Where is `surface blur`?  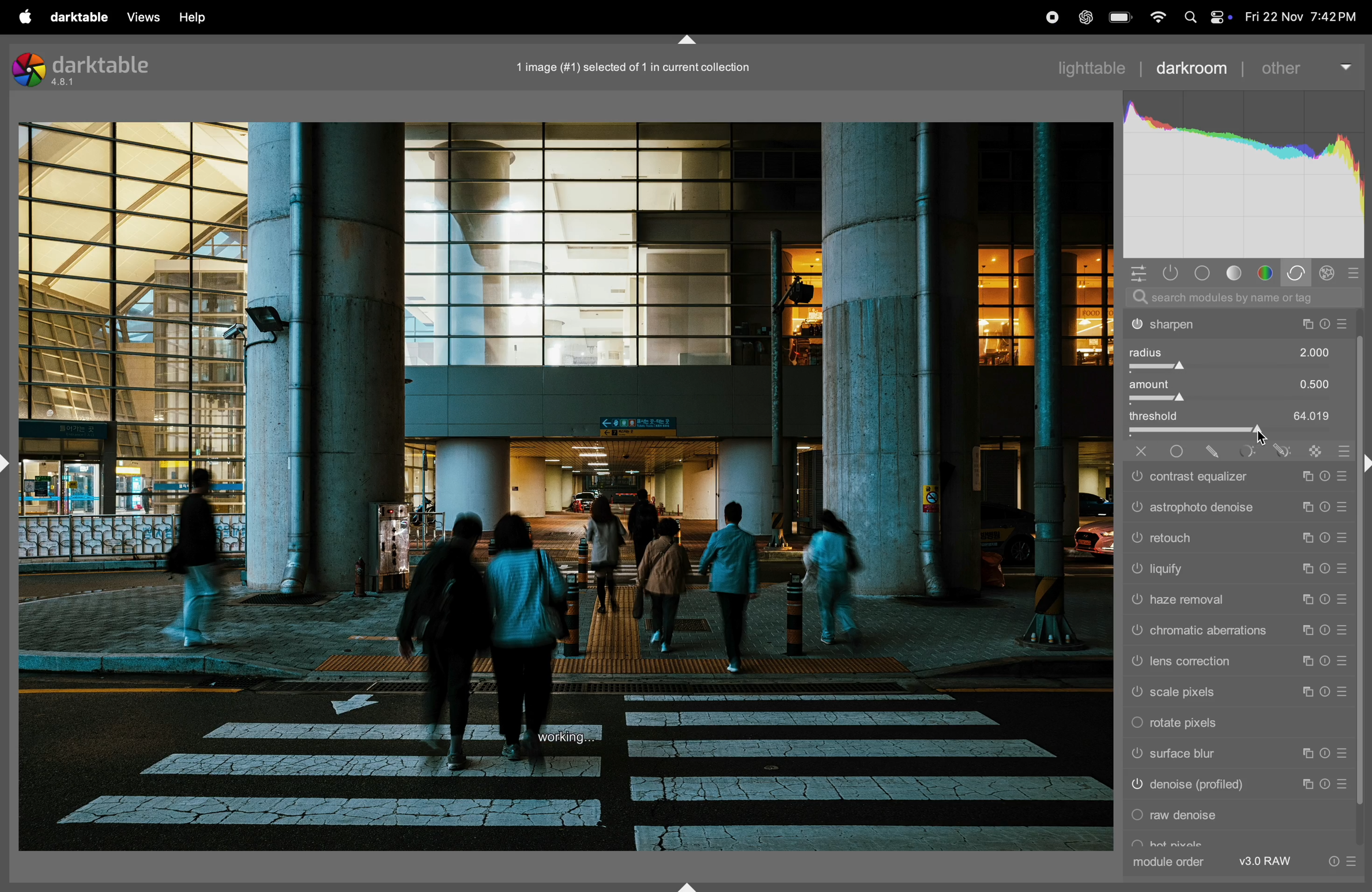 surface blur is located at coordinates (1232, 756).